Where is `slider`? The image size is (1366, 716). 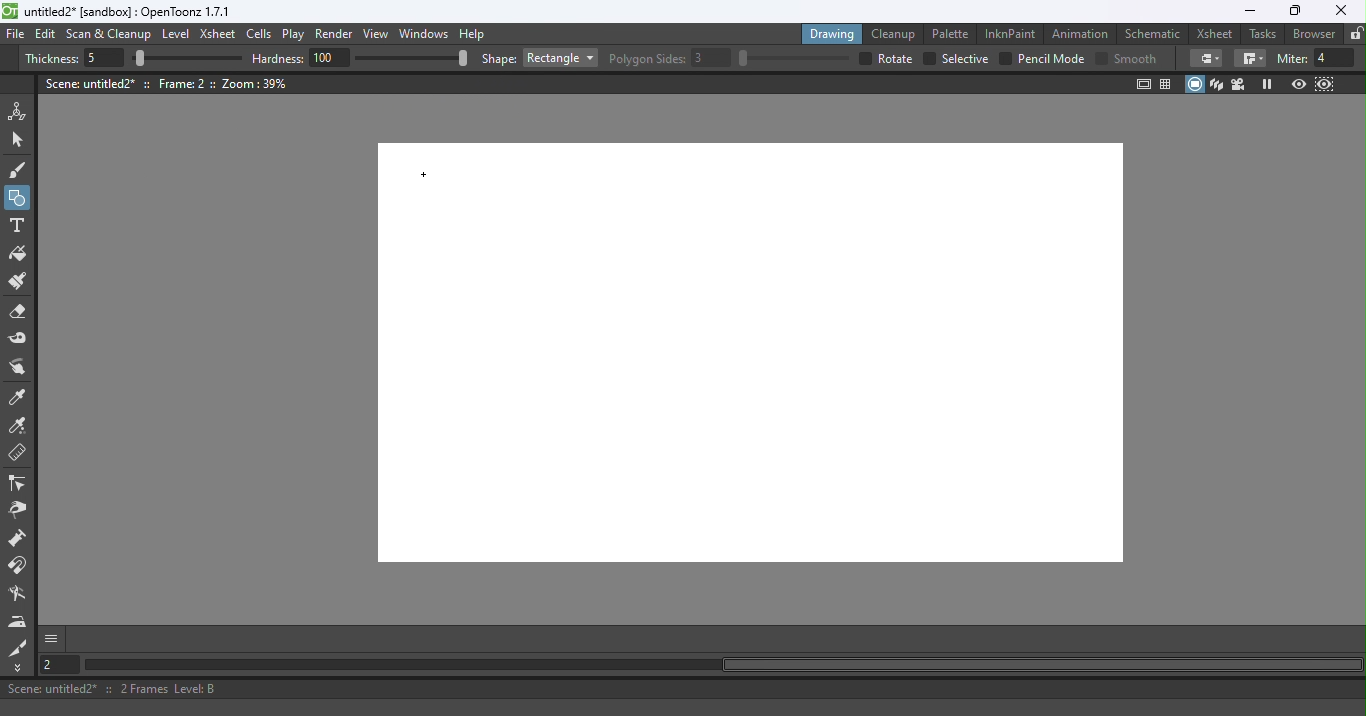
slider is located at coordinates (187, 59).